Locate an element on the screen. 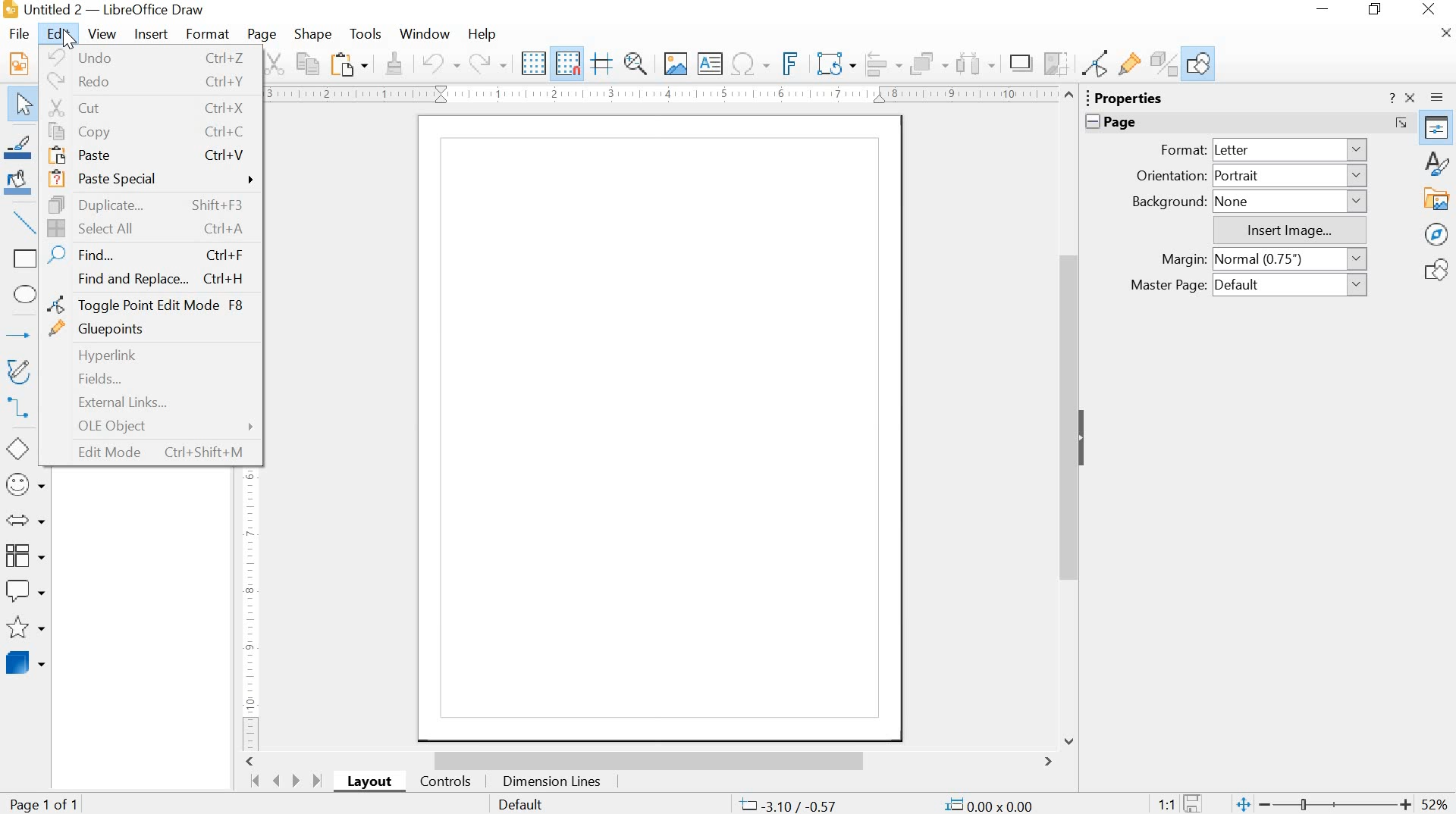  toggle point edit mode is located at coordinates (155, 305).